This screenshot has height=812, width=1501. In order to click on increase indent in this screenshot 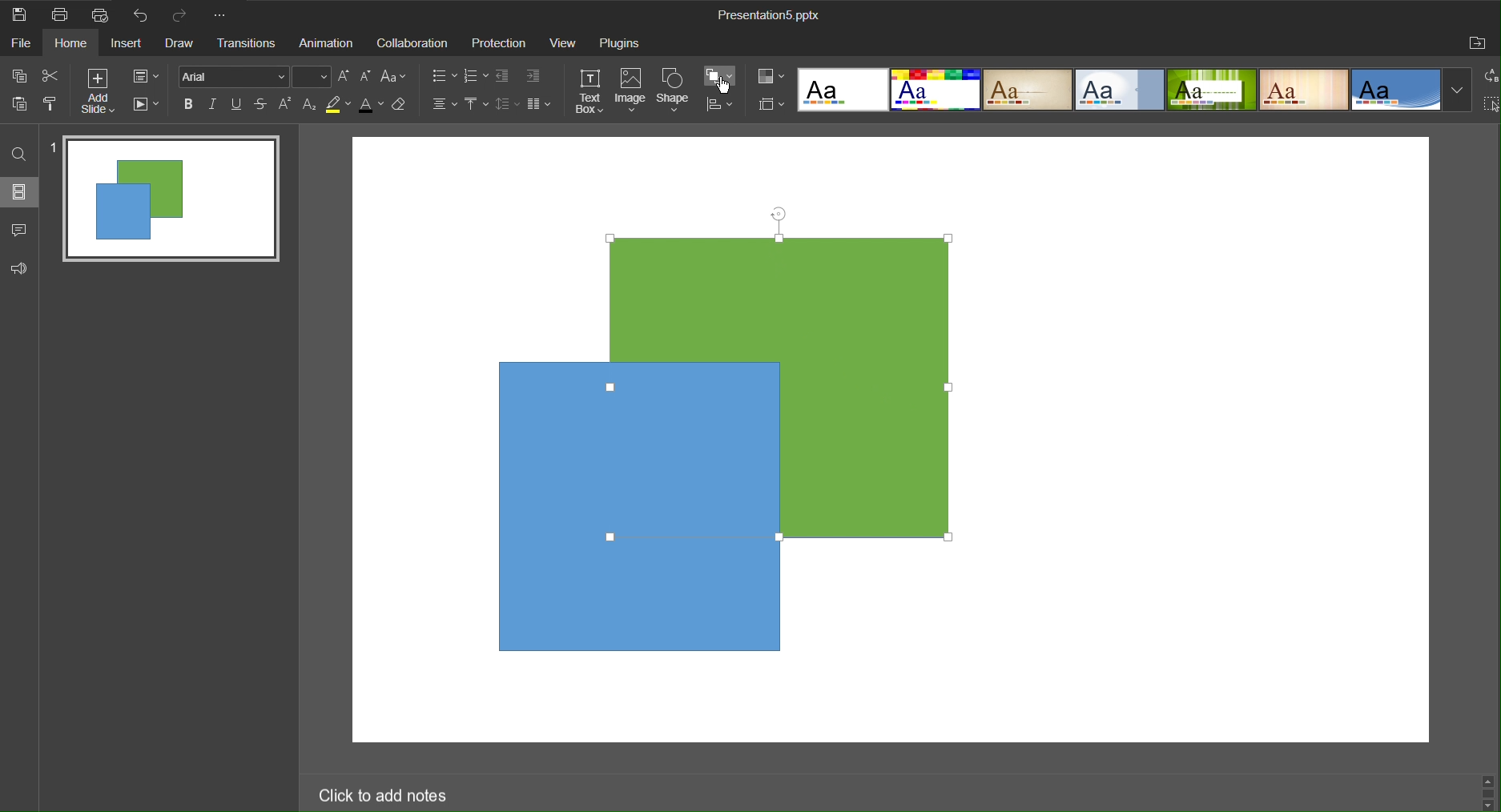, I will do `click(536, 74)`.